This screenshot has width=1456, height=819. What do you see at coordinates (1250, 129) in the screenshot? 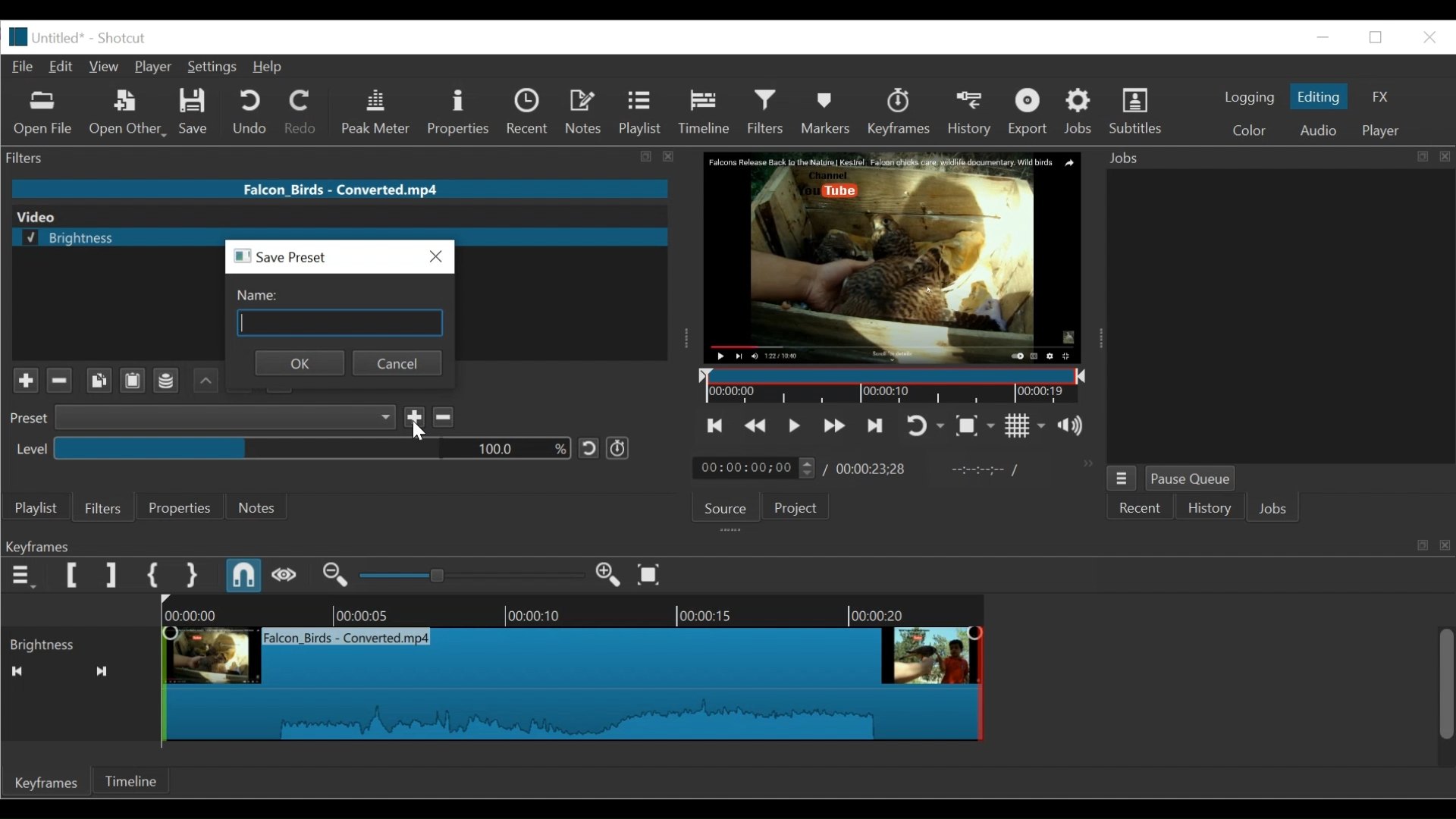
I see `Color` at bounding box center [1250, 129].